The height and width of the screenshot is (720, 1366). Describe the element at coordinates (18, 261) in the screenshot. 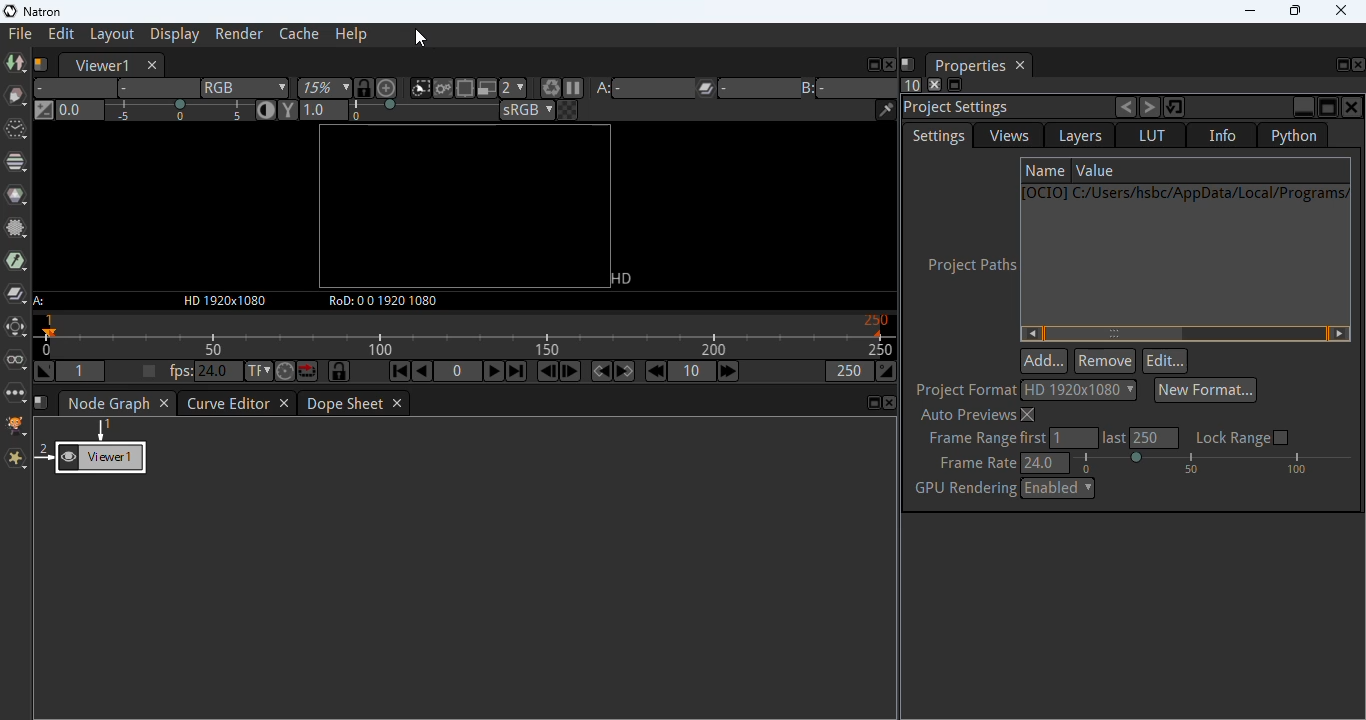

I see `keyer` at that location.